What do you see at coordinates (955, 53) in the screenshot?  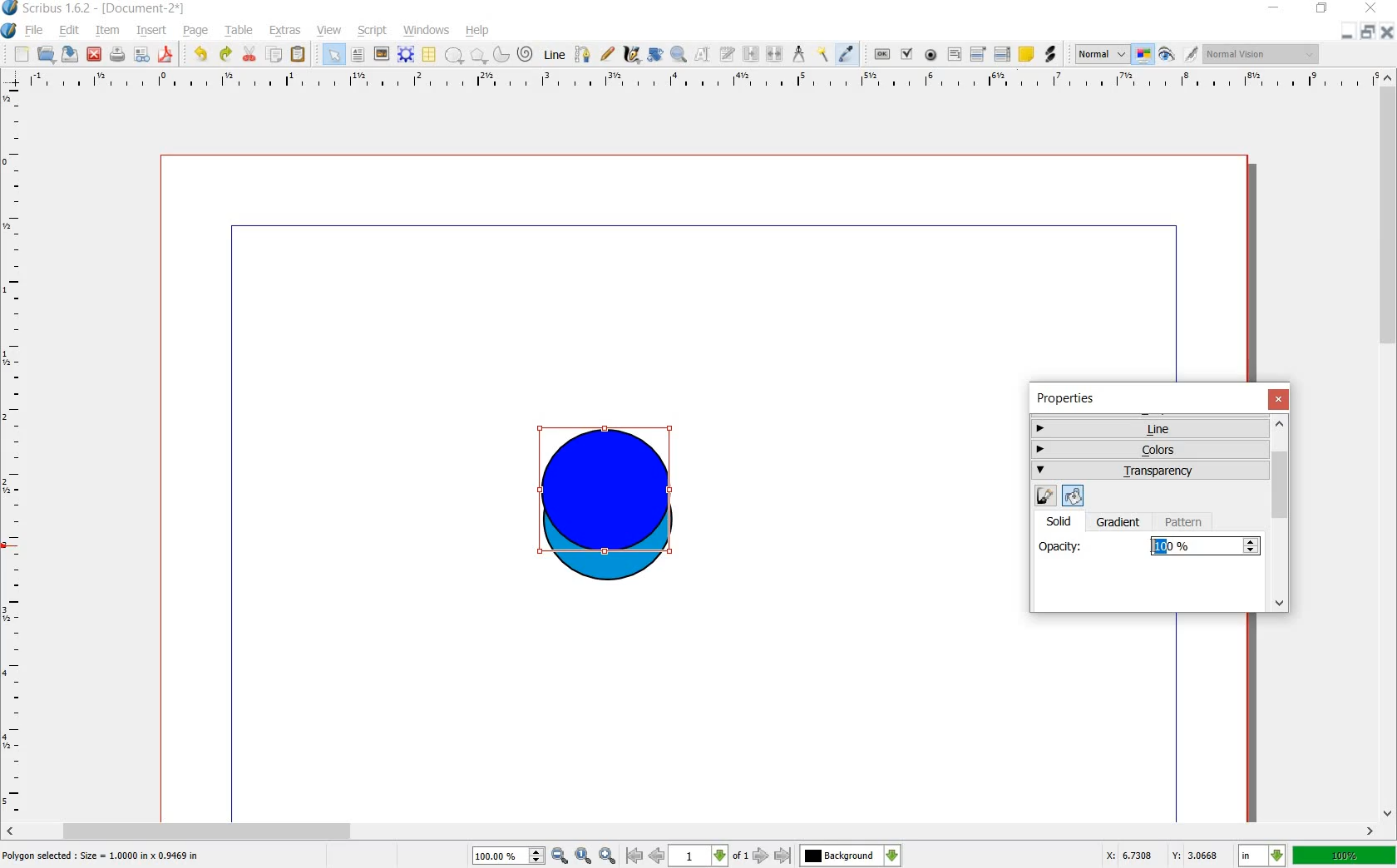 I see `pdf text fied` at bounding box center [955, 53].